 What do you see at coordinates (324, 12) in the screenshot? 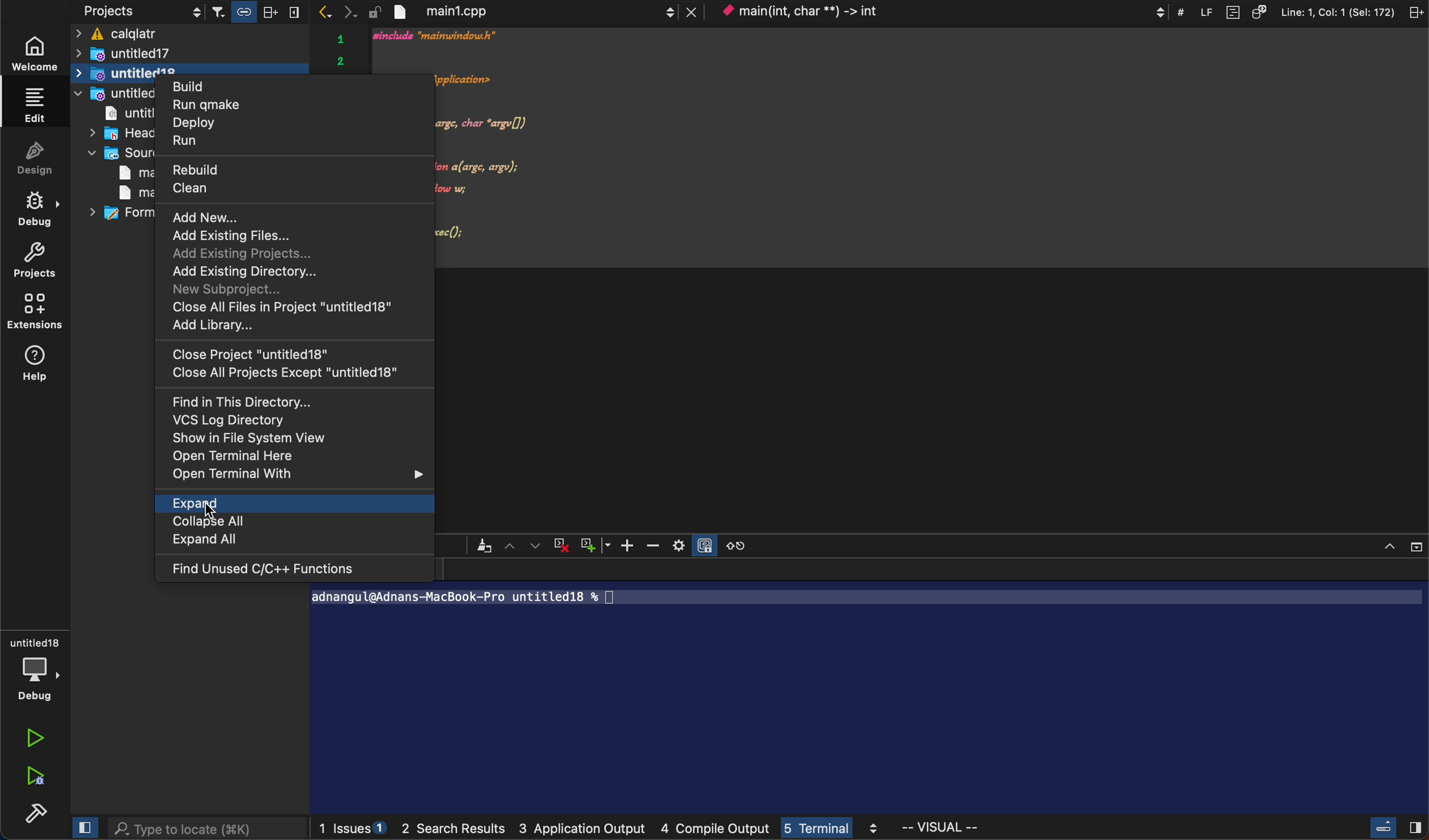
I see `previous` at bounding box center [324, 12].